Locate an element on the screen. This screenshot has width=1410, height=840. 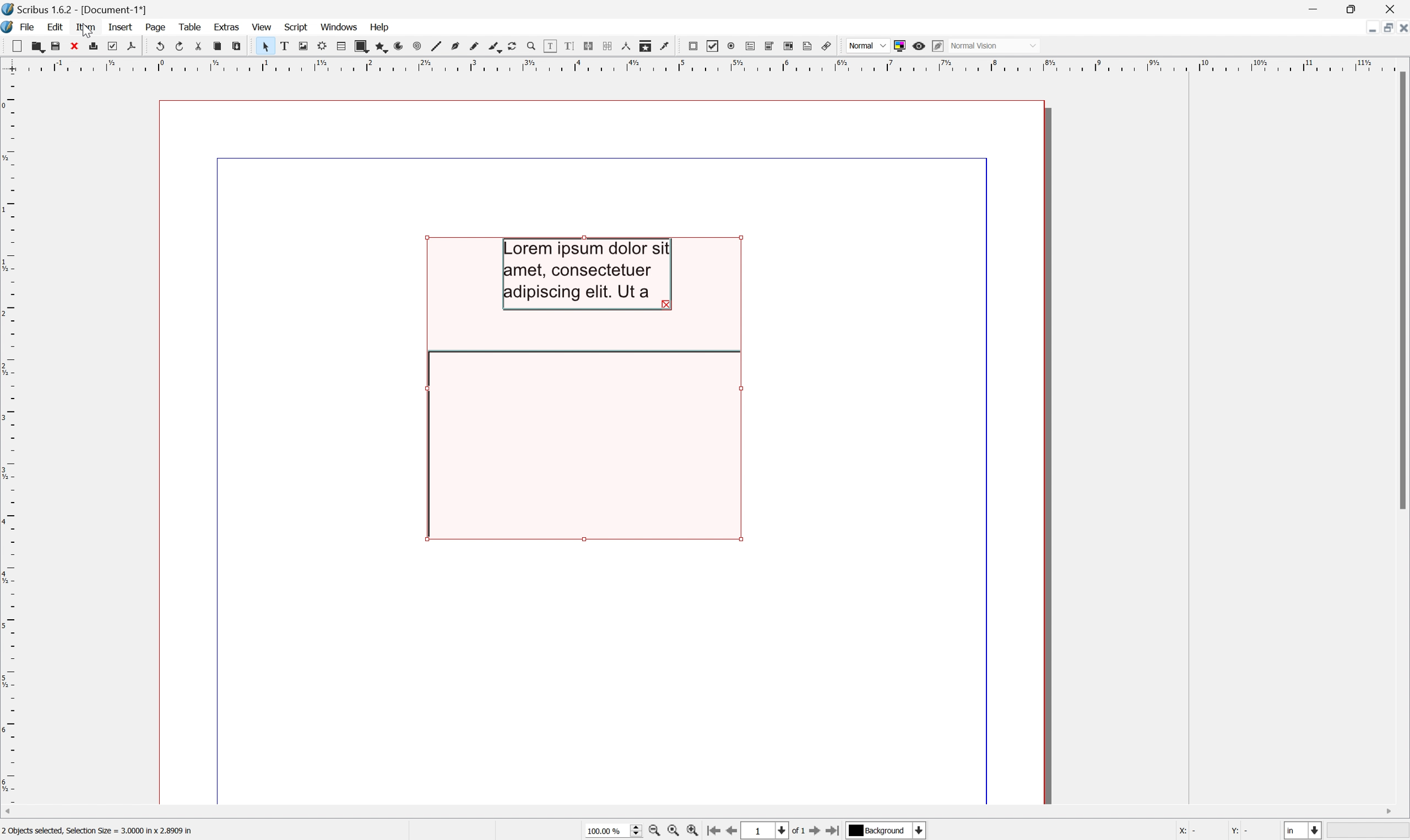
PDF list box is located at coordinates (789, 46).